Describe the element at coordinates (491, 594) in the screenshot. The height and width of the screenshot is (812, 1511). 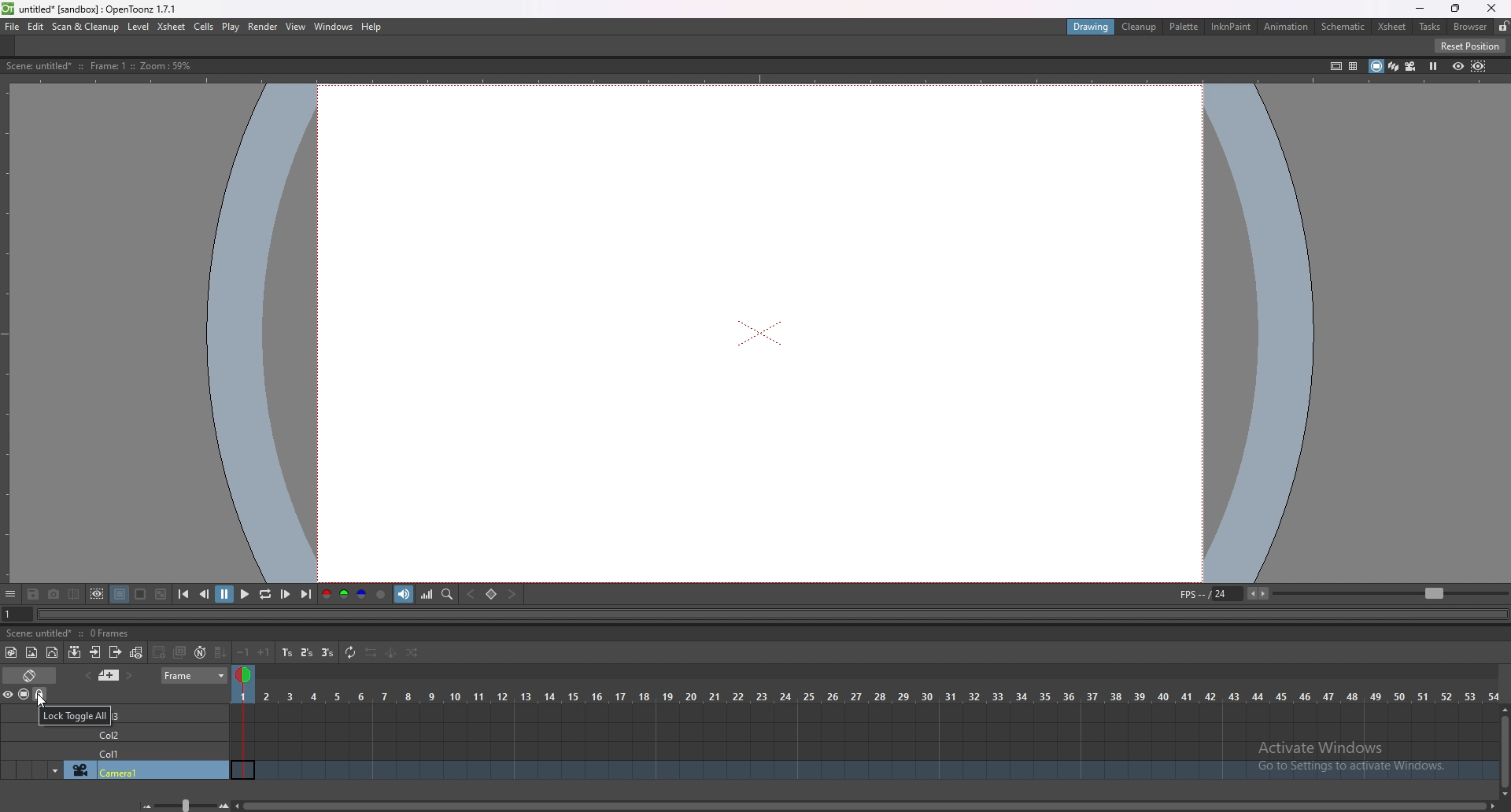
I see `set` at that location.